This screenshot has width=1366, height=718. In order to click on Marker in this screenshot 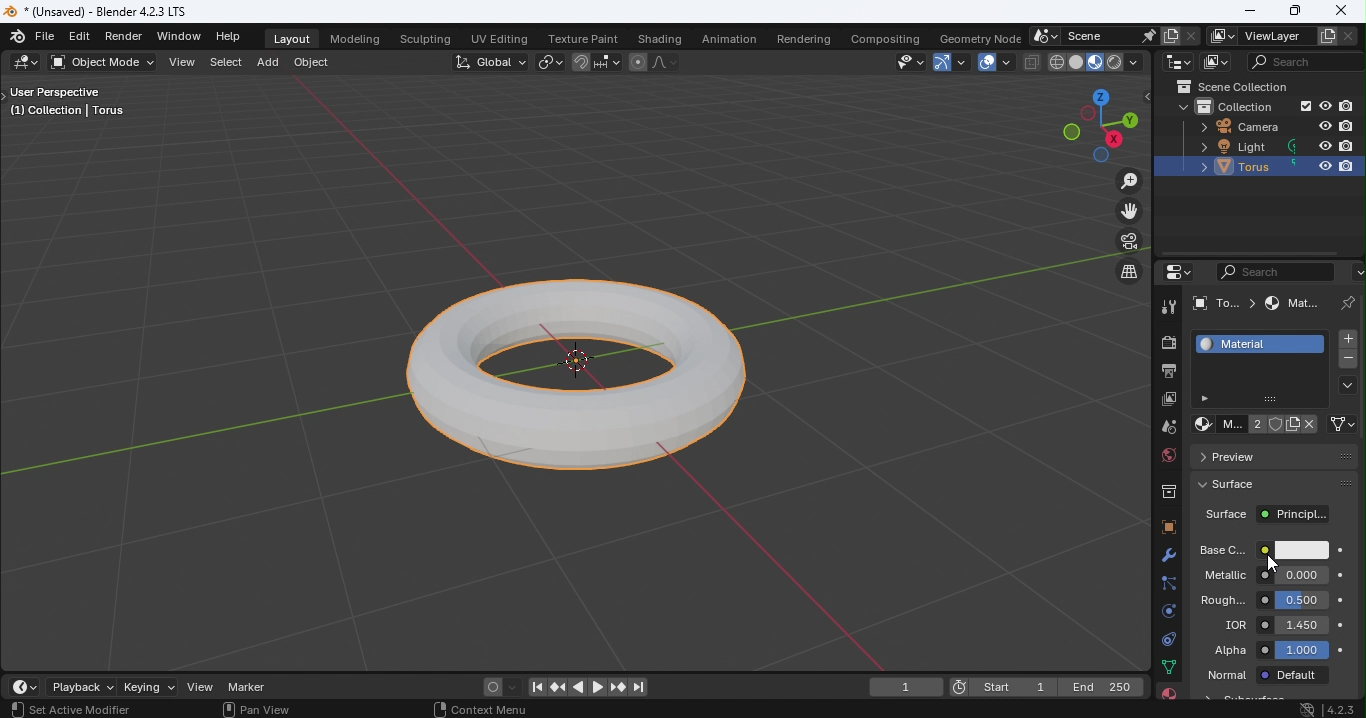, I will do `click(247, 688)`.